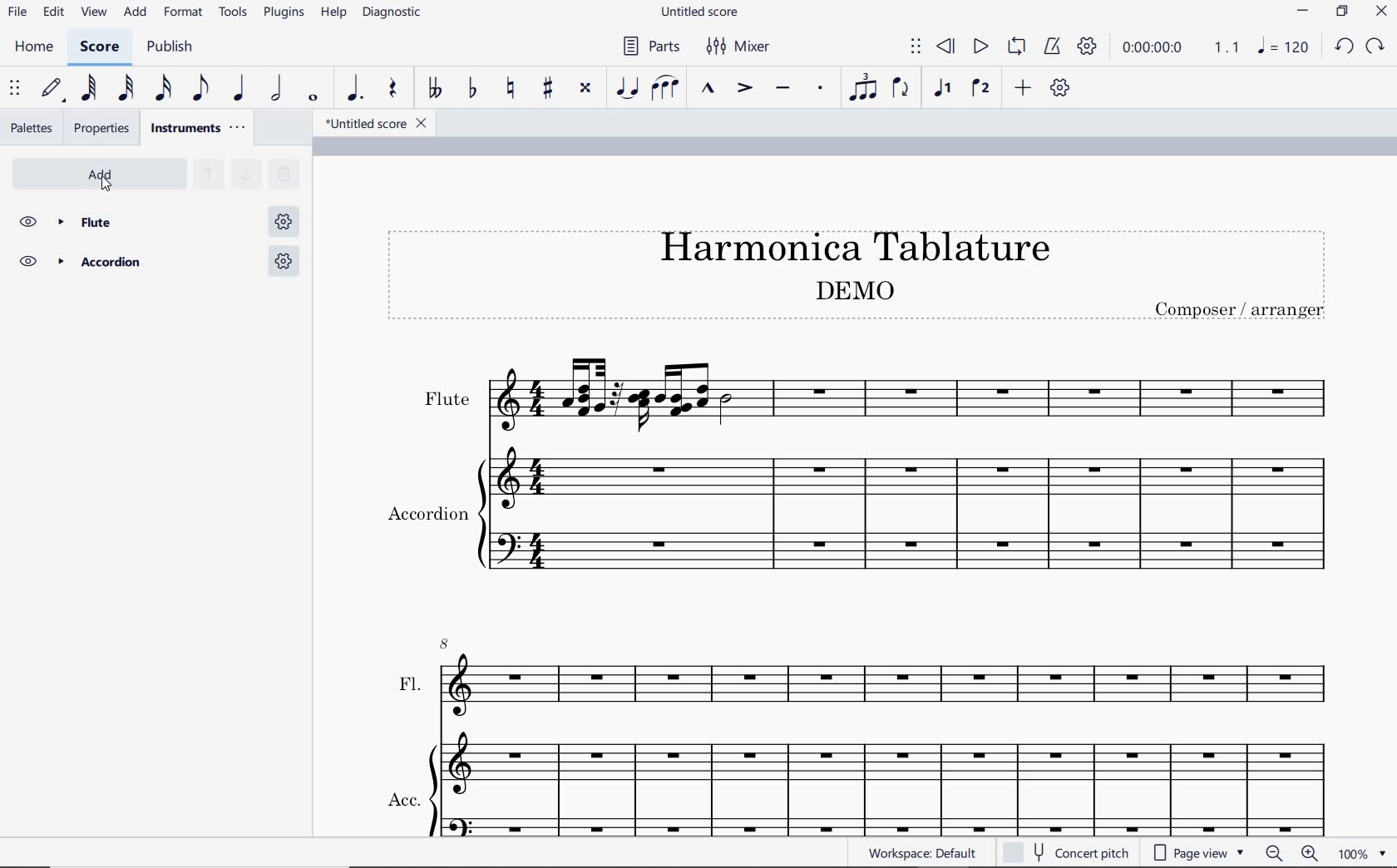  Describe the element at coordinates (157, 263) in the screenshot. I see `Accordion` at that location.